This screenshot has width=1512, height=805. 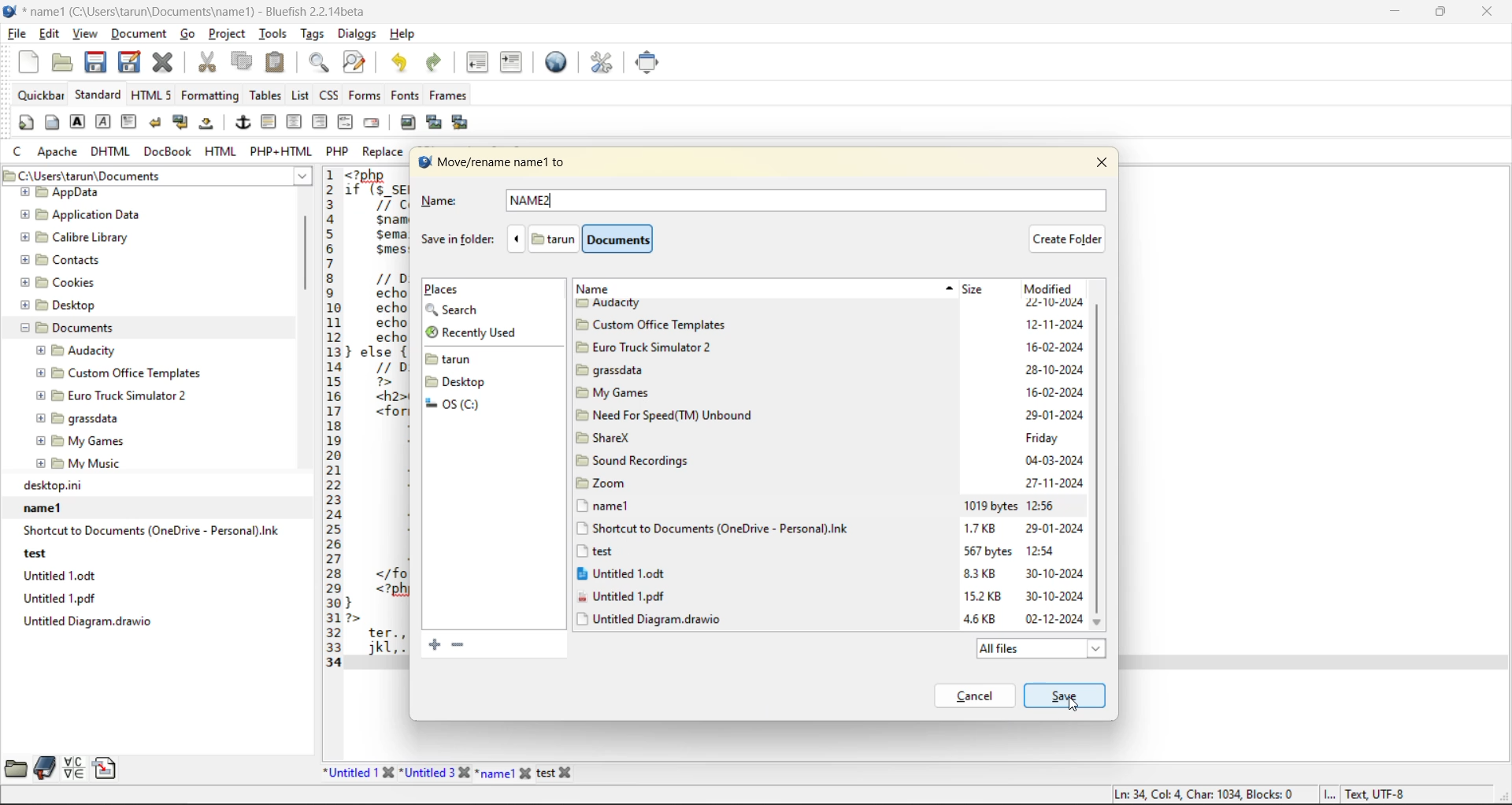 What do you see at coordinates (472, 331) in the screenshot?
I see `recently used` at bounding box center [472, 331].